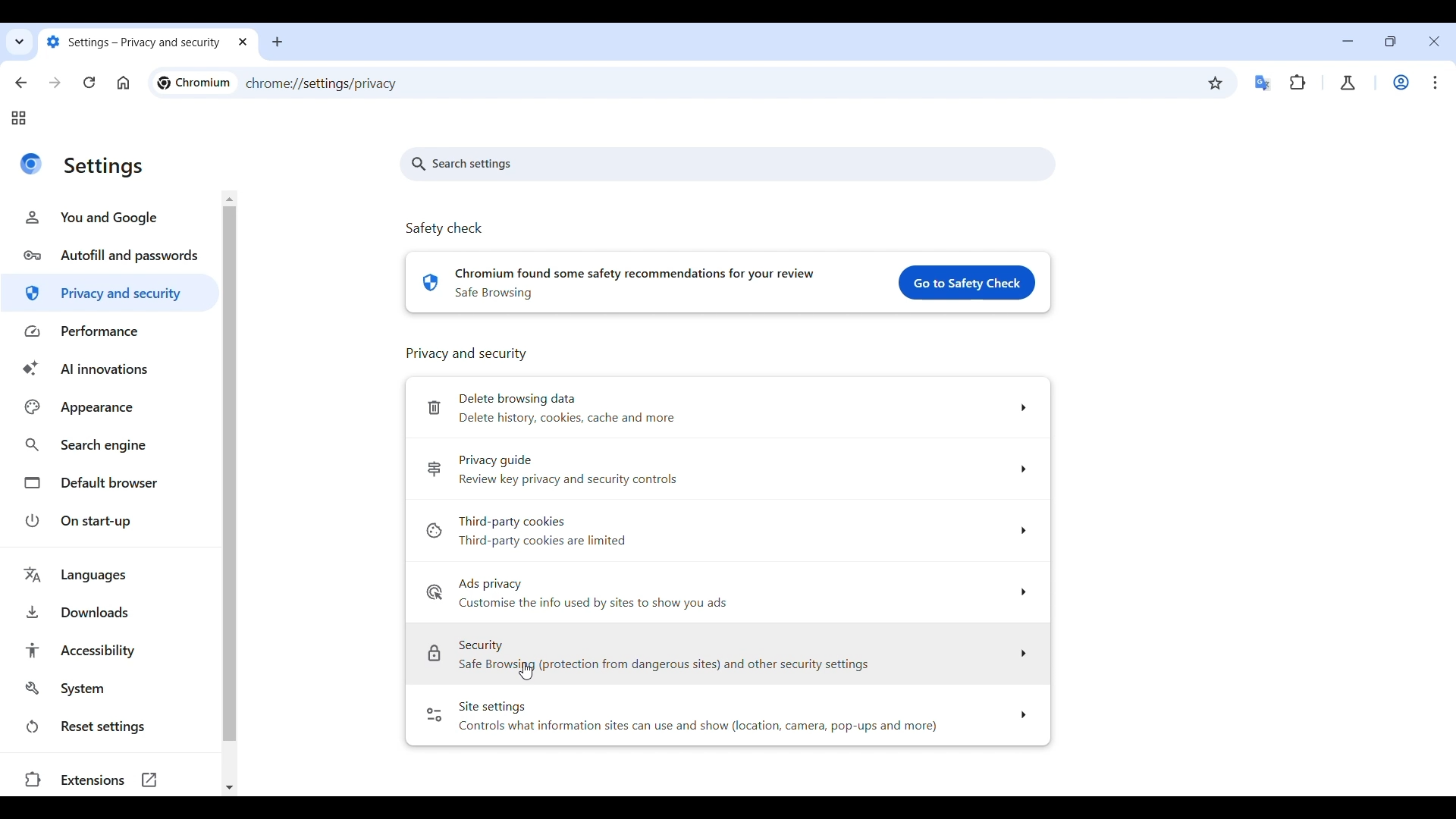 The height and width of the screenshot is (819, 1456). I want to click on Customize and control Chromium highlighted, so click(1436, 83).